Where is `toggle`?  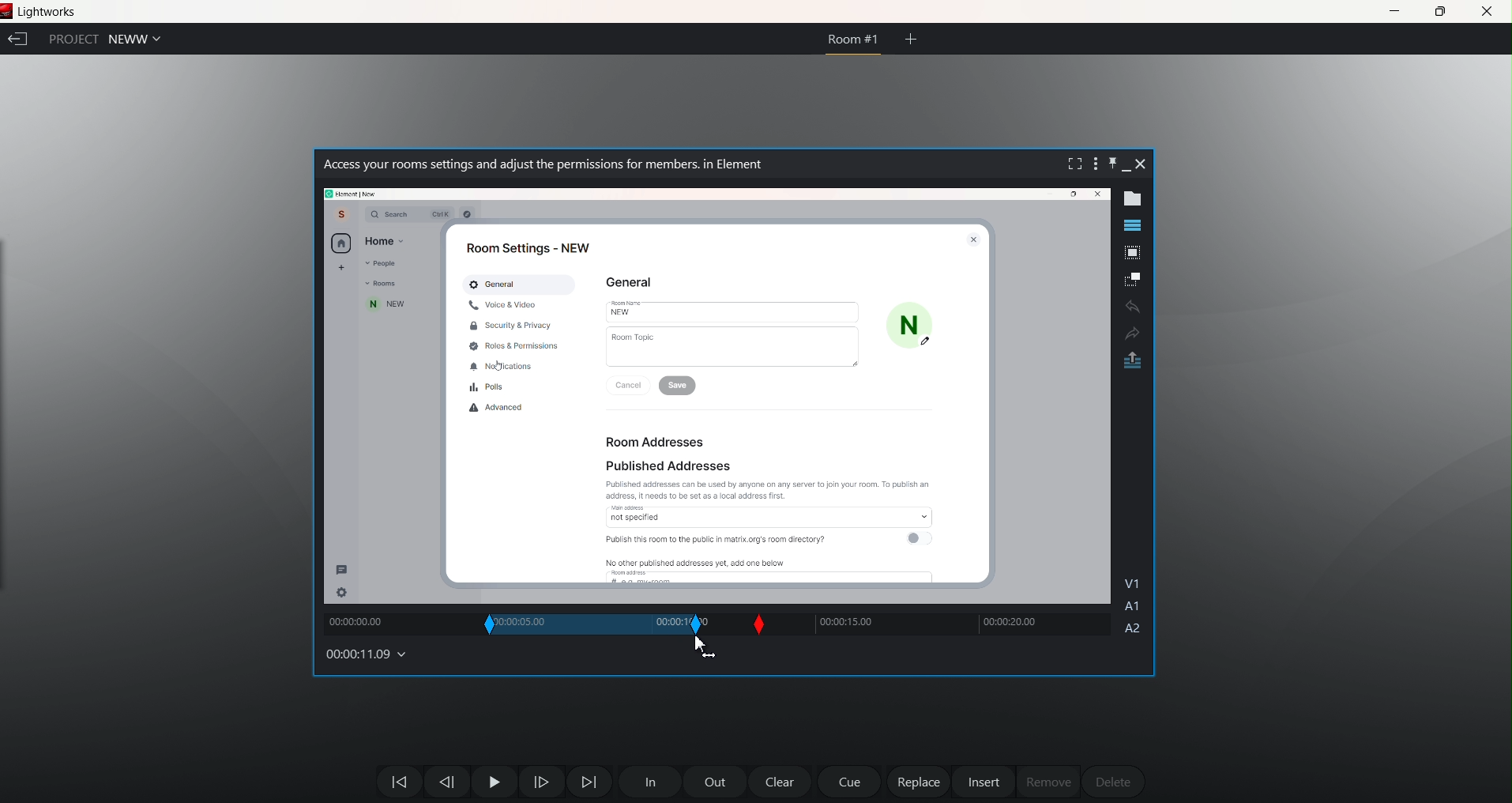 toggle is located at coordinates (920, 537).